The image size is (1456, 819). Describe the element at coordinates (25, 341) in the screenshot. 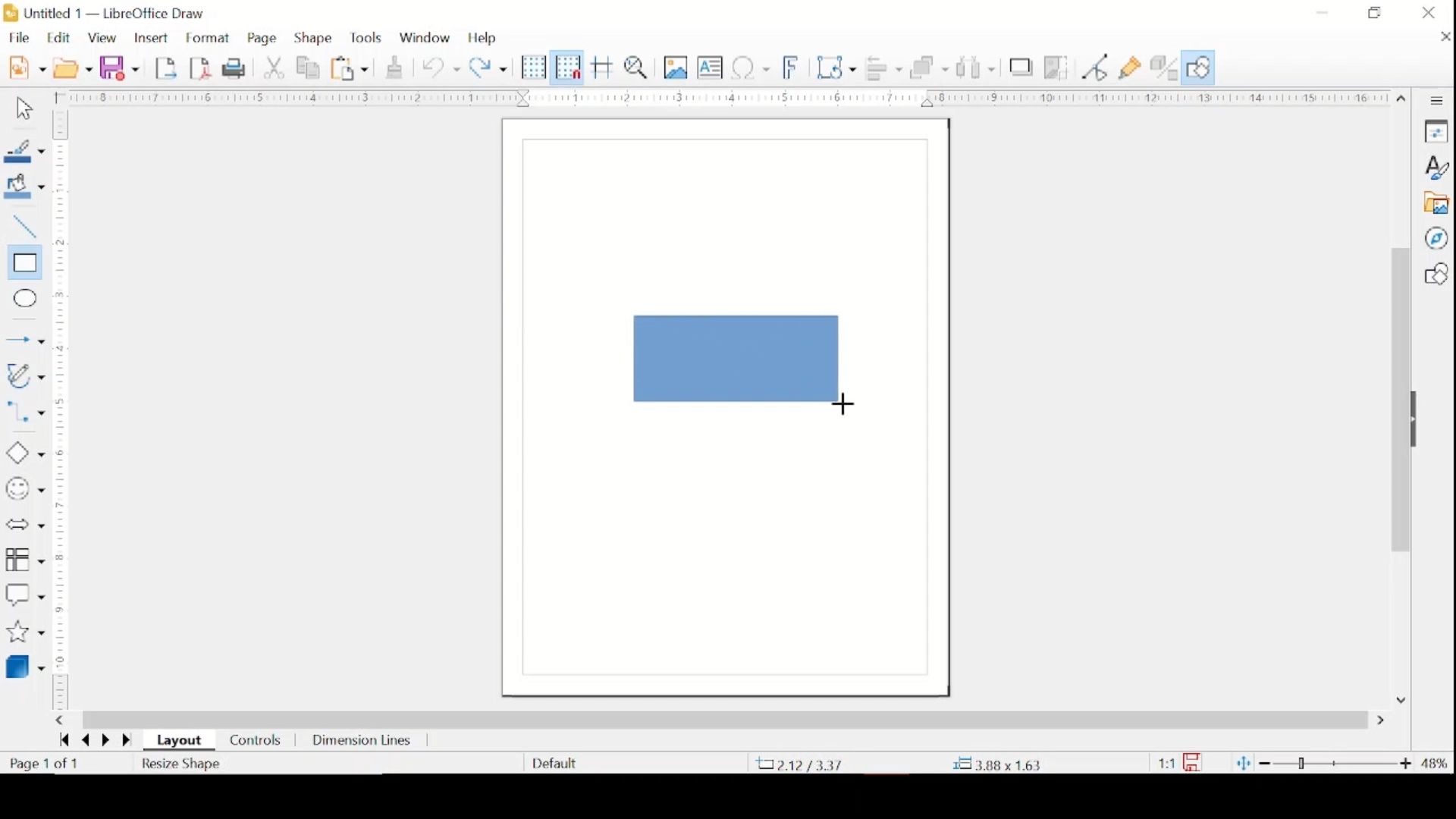

I see `insert line` at that location.